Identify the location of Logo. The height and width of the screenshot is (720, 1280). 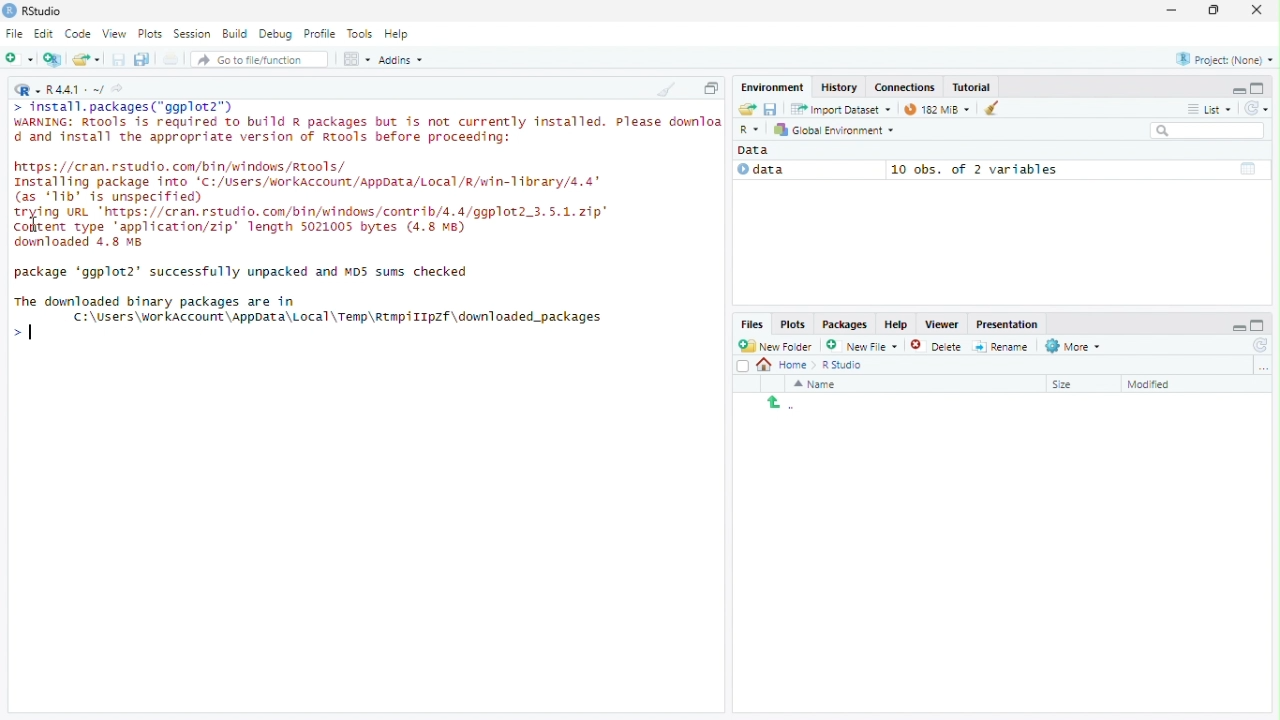
(9, 11).